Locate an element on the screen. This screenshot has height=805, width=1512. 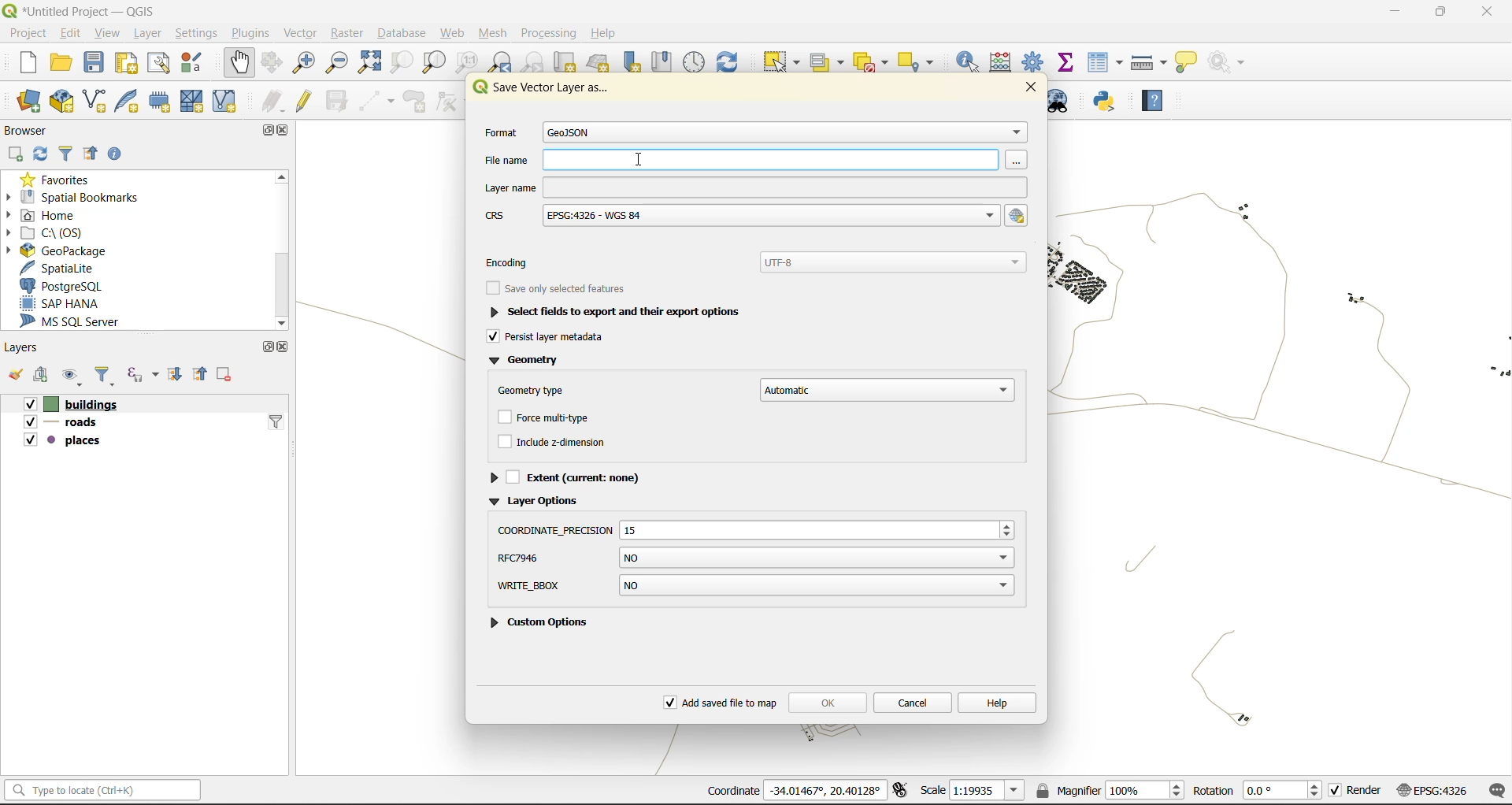
Service Vector layer is located at coordinates (540, 92).